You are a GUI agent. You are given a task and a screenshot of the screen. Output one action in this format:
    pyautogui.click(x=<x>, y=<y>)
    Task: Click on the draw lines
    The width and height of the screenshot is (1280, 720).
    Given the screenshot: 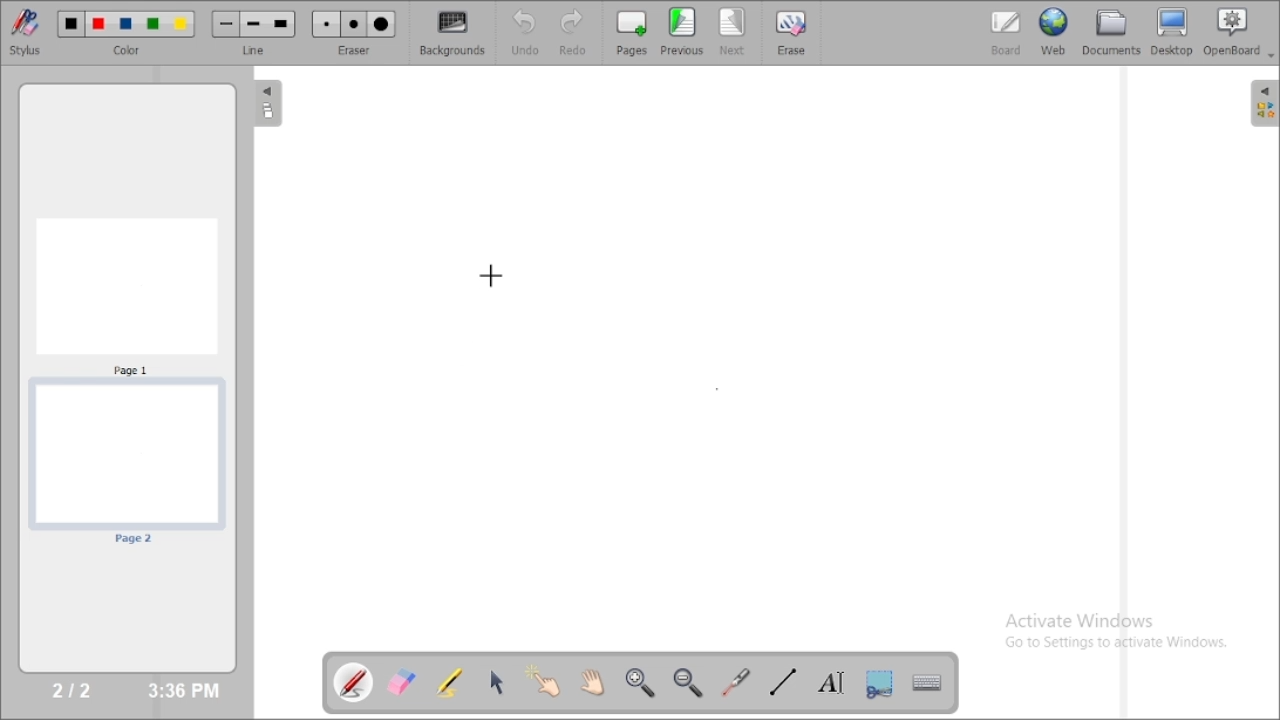 What is the action you would take?
    pyautogui.click(x=782, y=681)
    